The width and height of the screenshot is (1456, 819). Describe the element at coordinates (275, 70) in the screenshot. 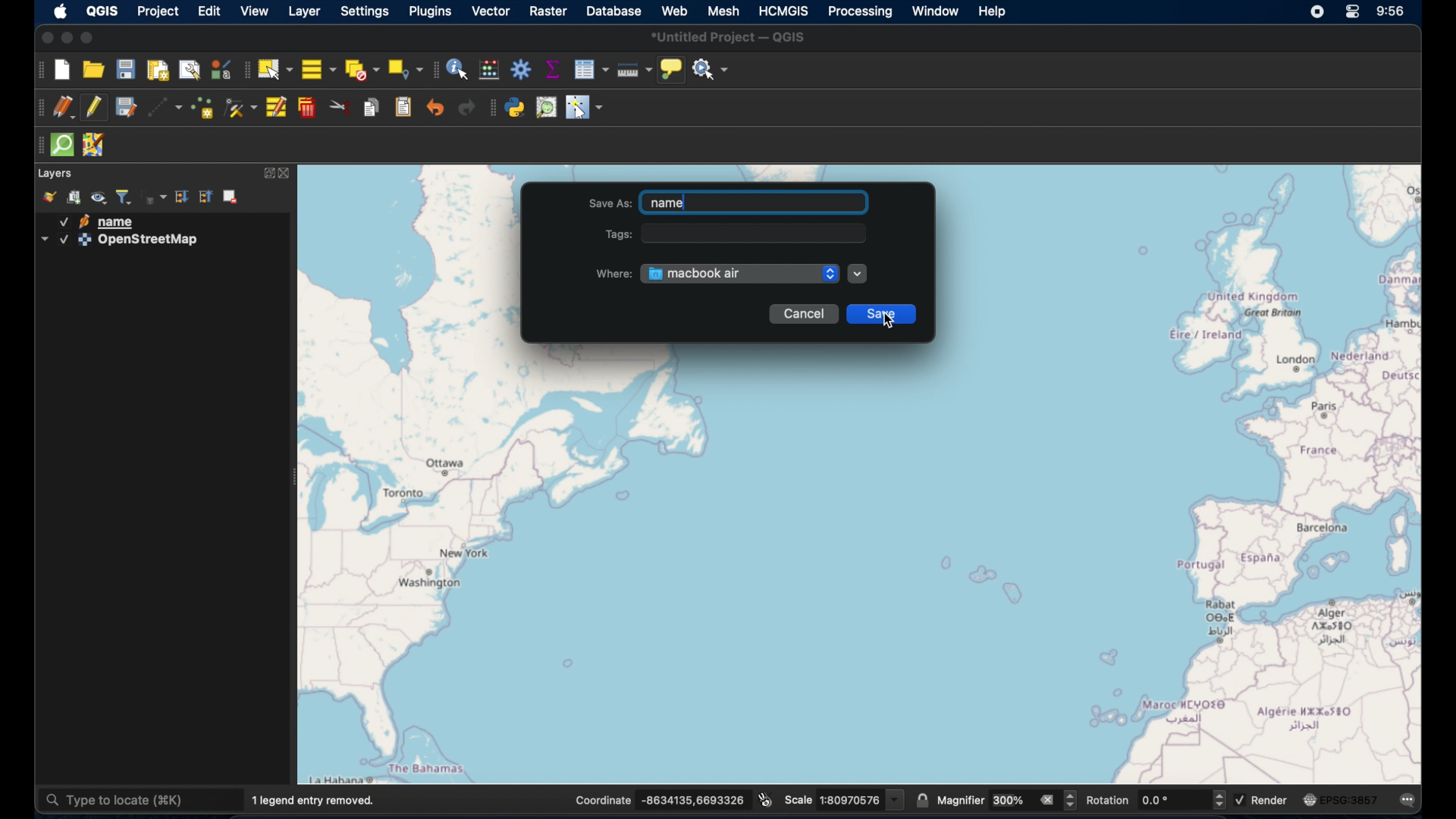

I see `select features by area. or single click` at that location.